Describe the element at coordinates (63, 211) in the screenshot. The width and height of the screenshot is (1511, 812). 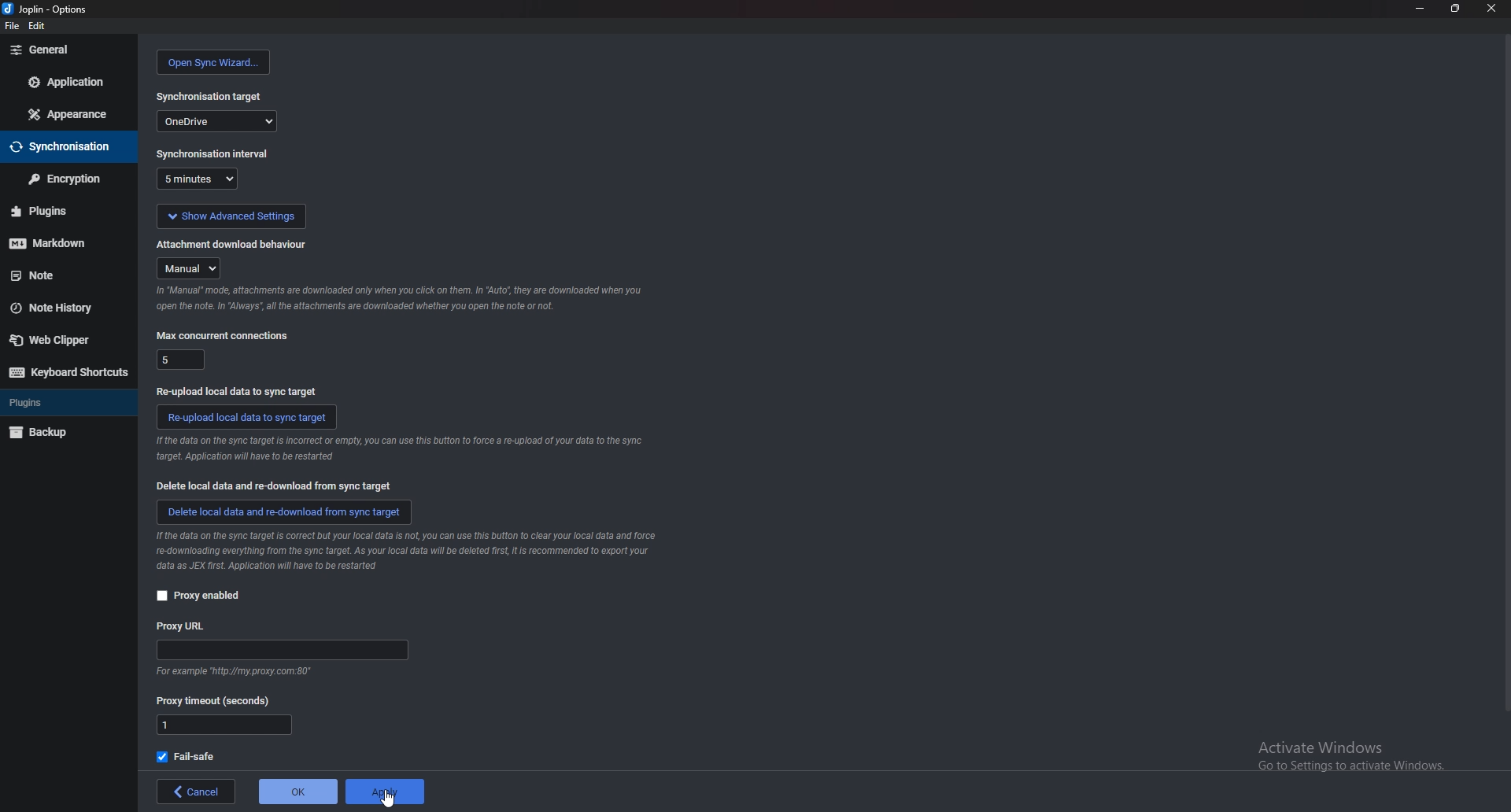
I see `plugins` at that location.